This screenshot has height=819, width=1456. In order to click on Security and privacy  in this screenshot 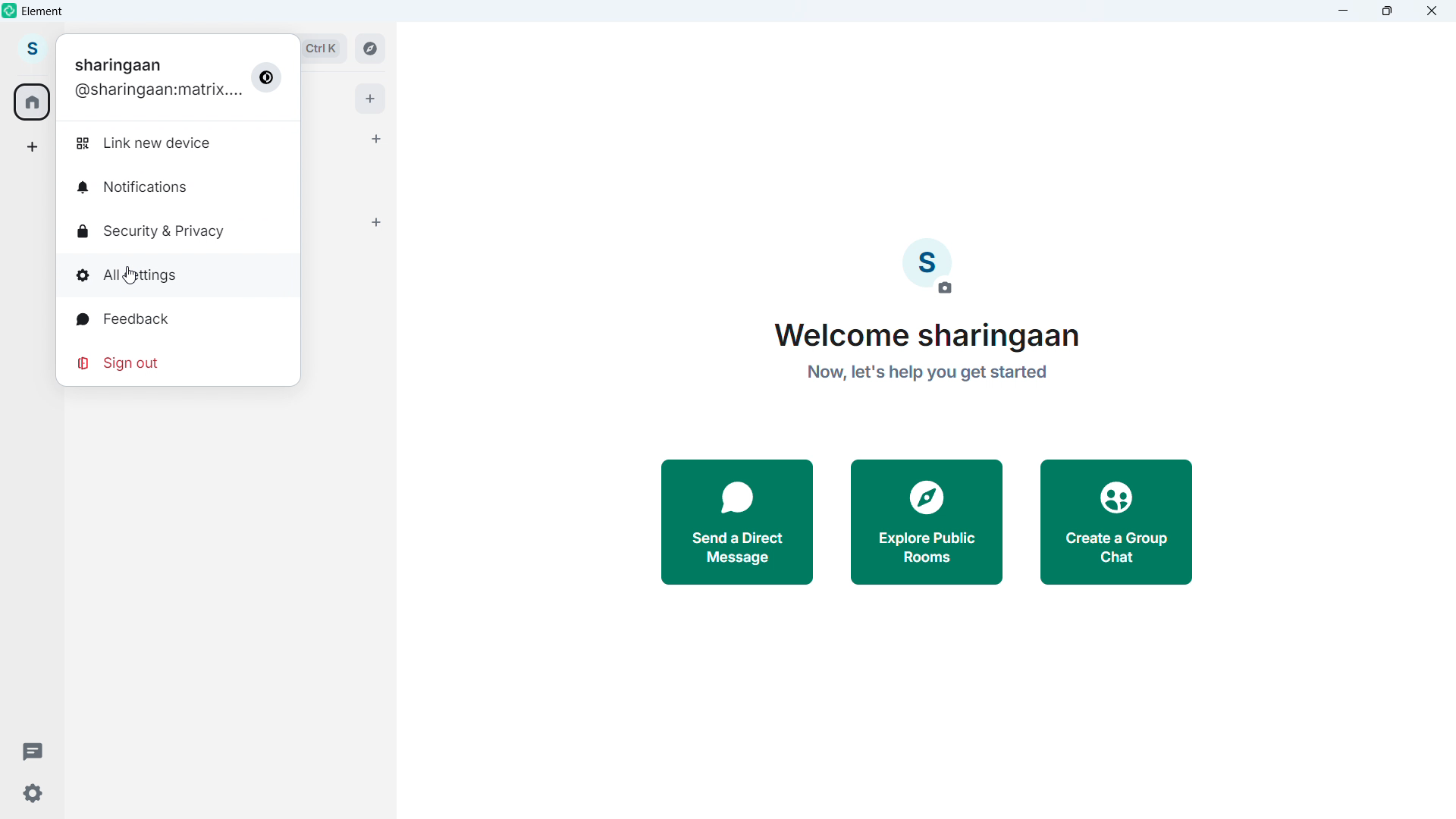, I will do `click(148, 231)`.